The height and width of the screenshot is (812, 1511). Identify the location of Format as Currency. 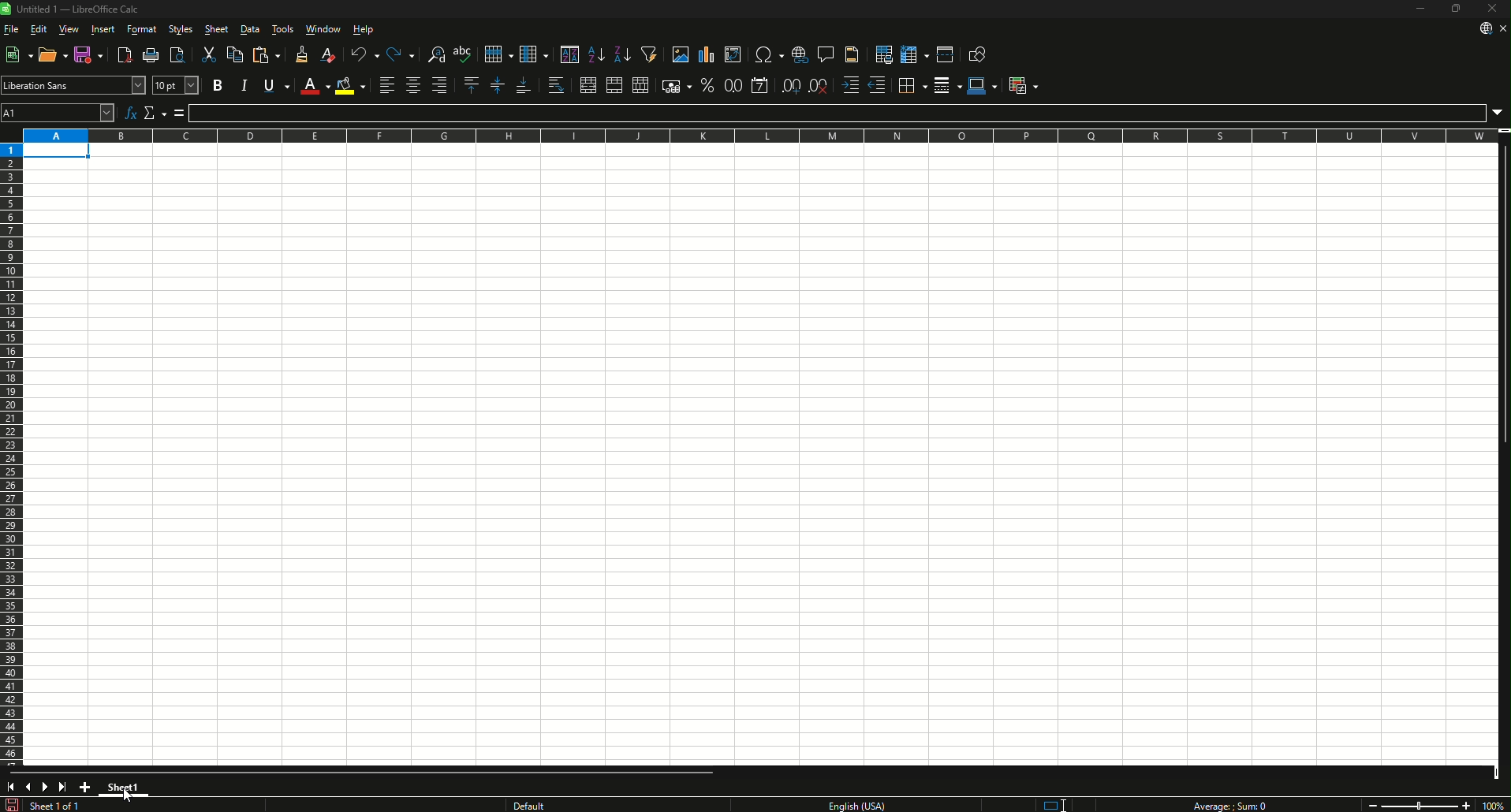
(677, 85).